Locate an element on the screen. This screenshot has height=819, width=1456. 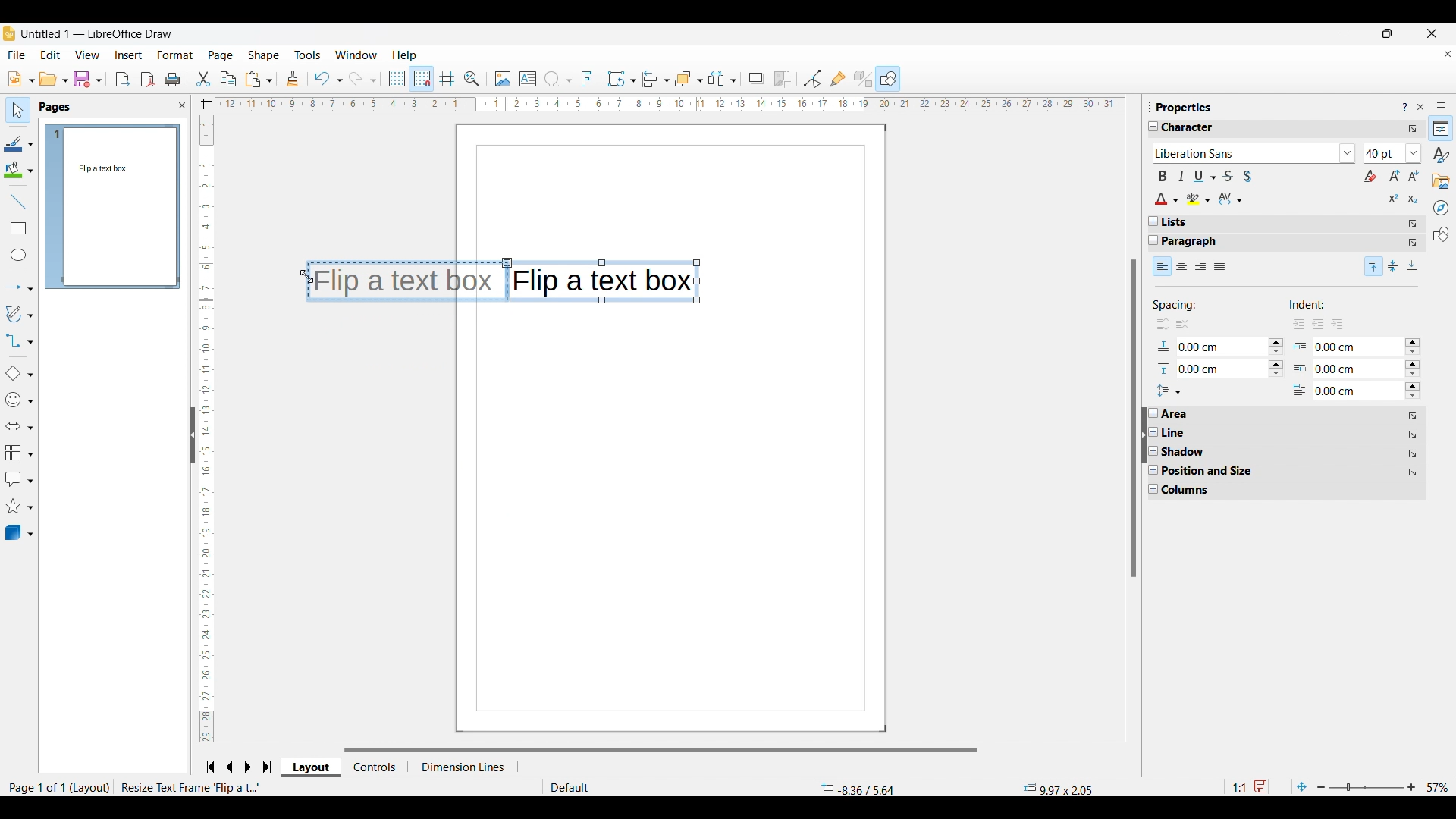
Bottom alignment is located at coordinates (1414, 266).